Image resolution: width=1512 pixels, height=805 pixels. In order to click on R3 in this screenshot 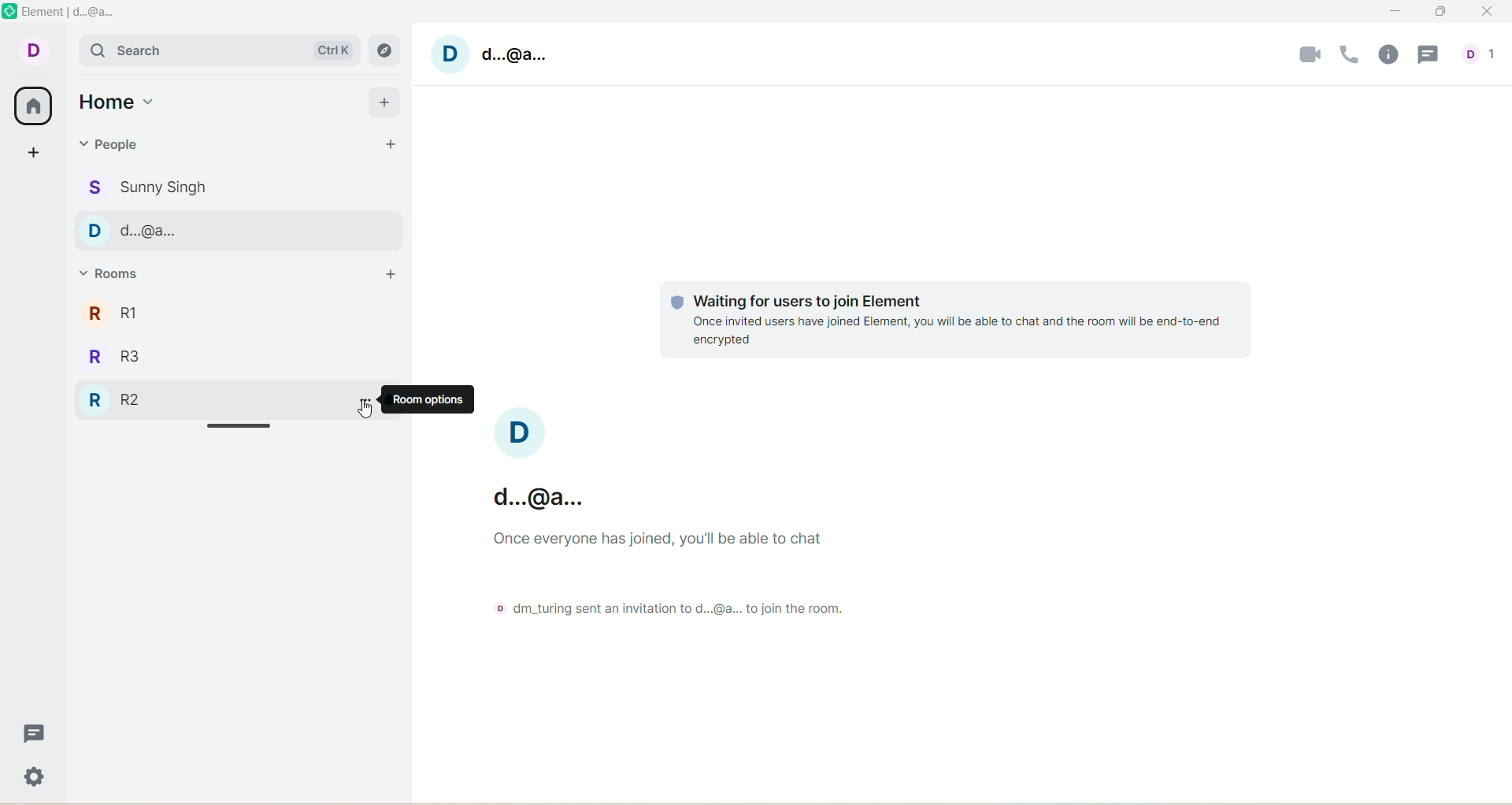, I will do `click(236, 354)`.